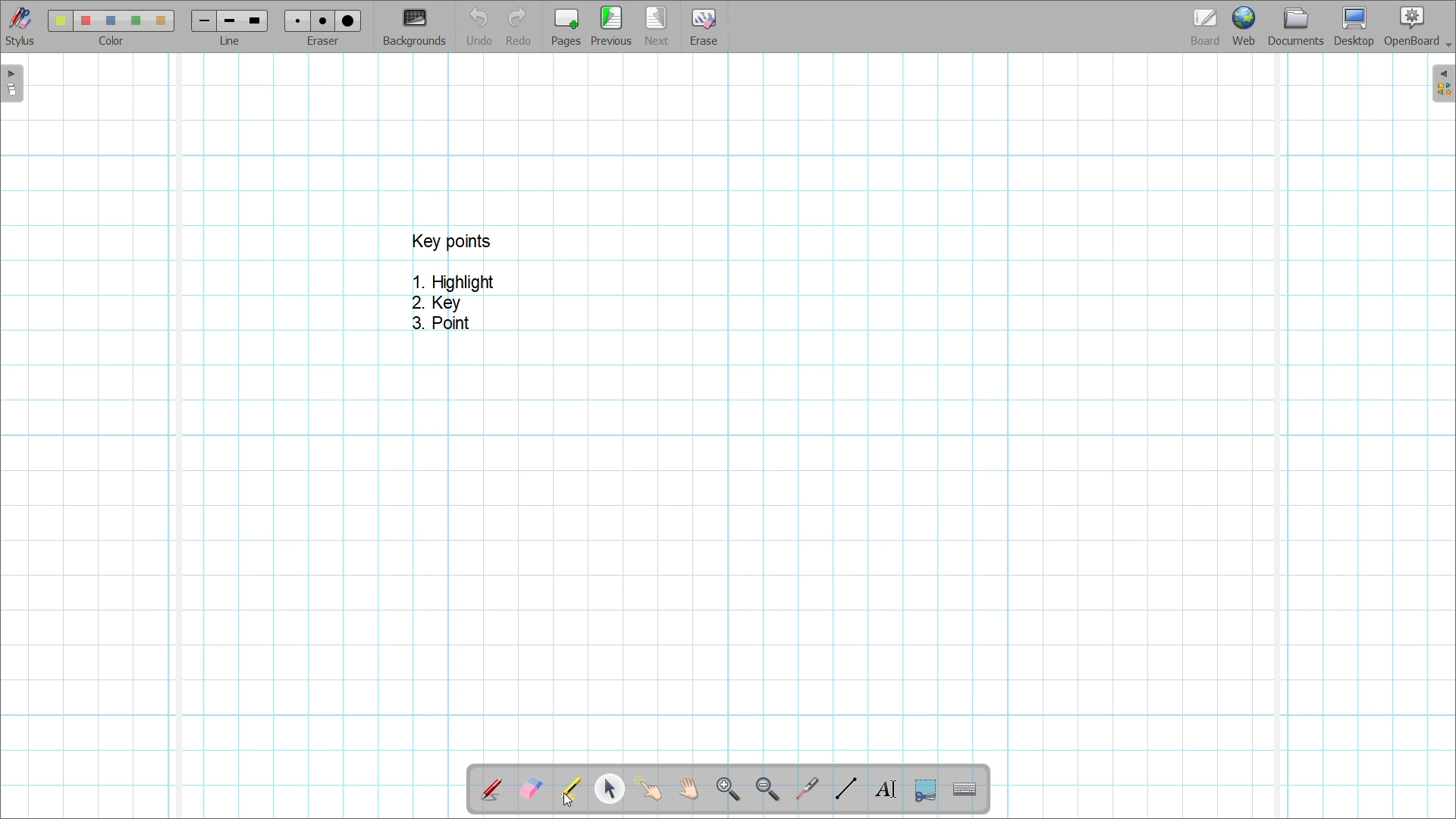  What do you see at coordinates (60, 20) in the screenshot?
I see `Color 1` at bounding box center [60, 20].